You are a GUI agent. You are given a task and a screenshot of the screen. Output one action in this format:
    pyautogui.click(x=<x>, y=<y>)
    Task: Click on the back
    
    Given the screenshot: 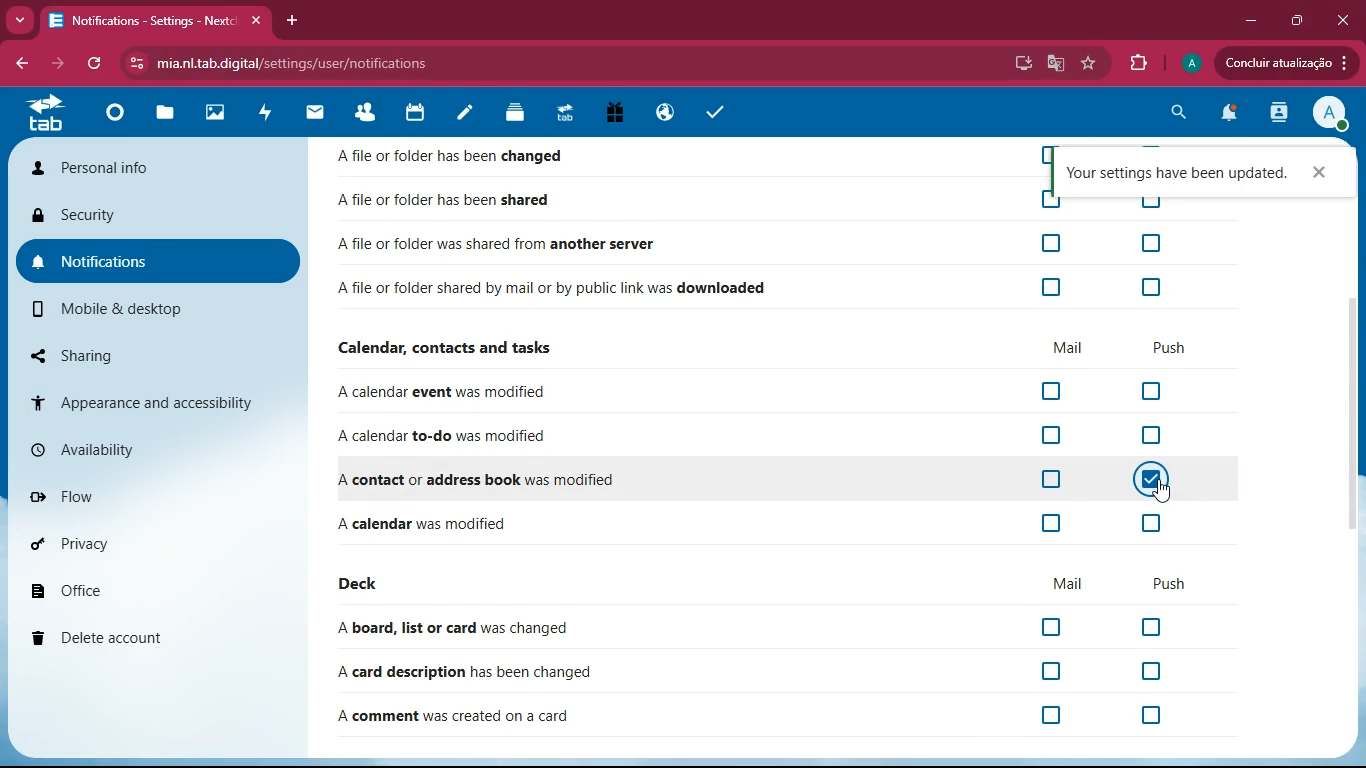 What is the action you would take?
    pyautogui.click(x=18, y=61)
    